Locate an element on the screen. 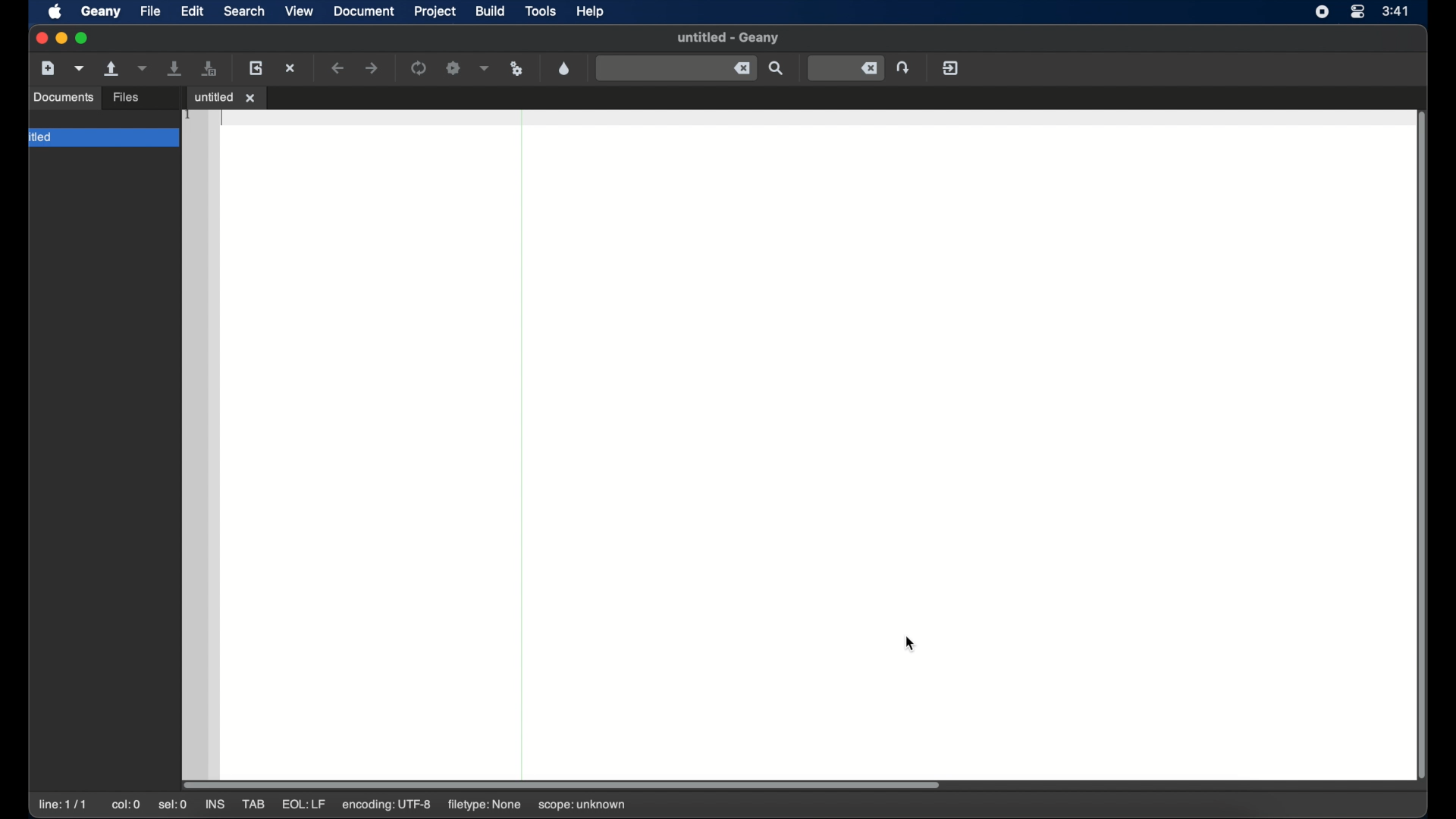 The height and width of the screenshot is (819, 1456). cursor is located at coordinates (910, 643).